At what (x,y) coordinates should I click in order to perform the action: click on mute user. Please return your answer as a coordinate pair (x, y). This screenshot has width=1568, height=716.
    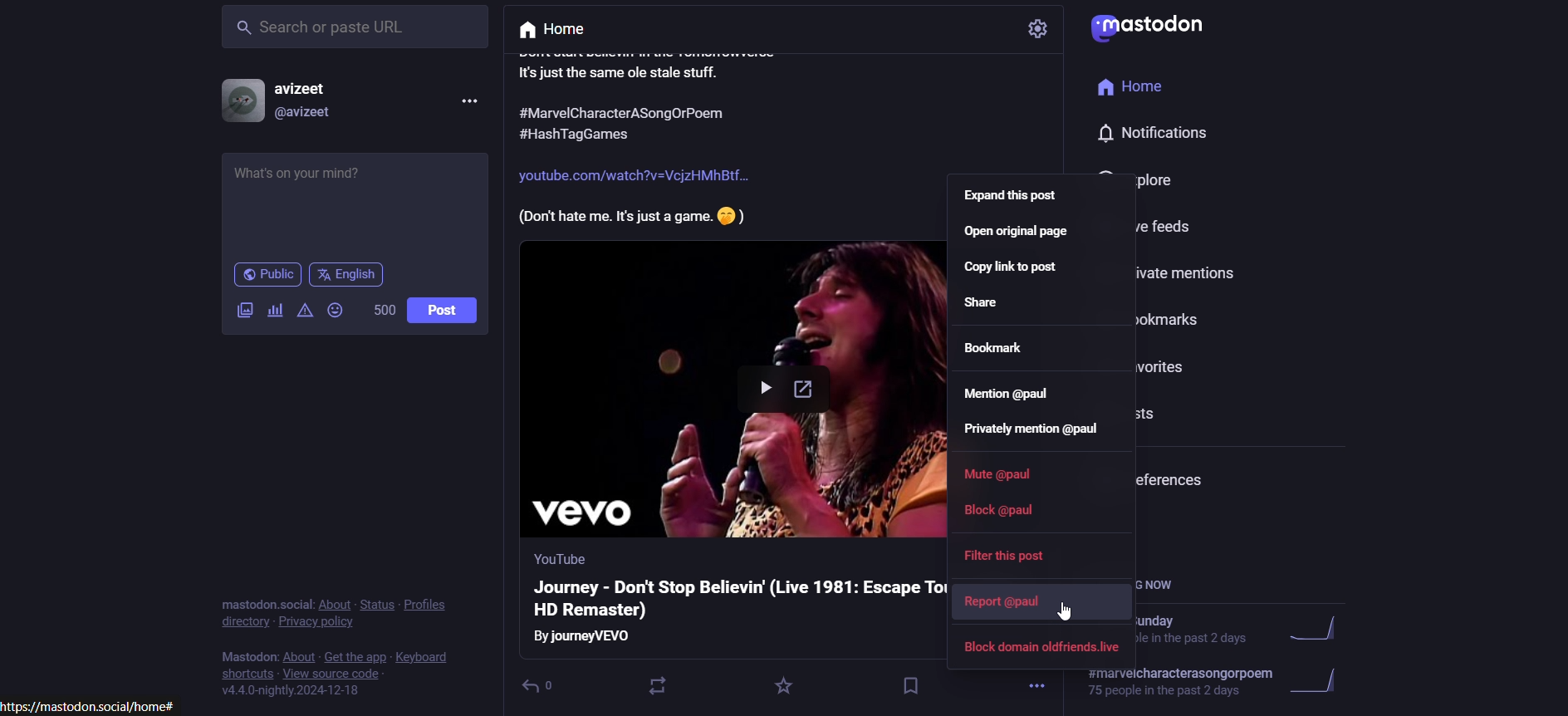
    Looking at the image, I should click on (1012, 480).